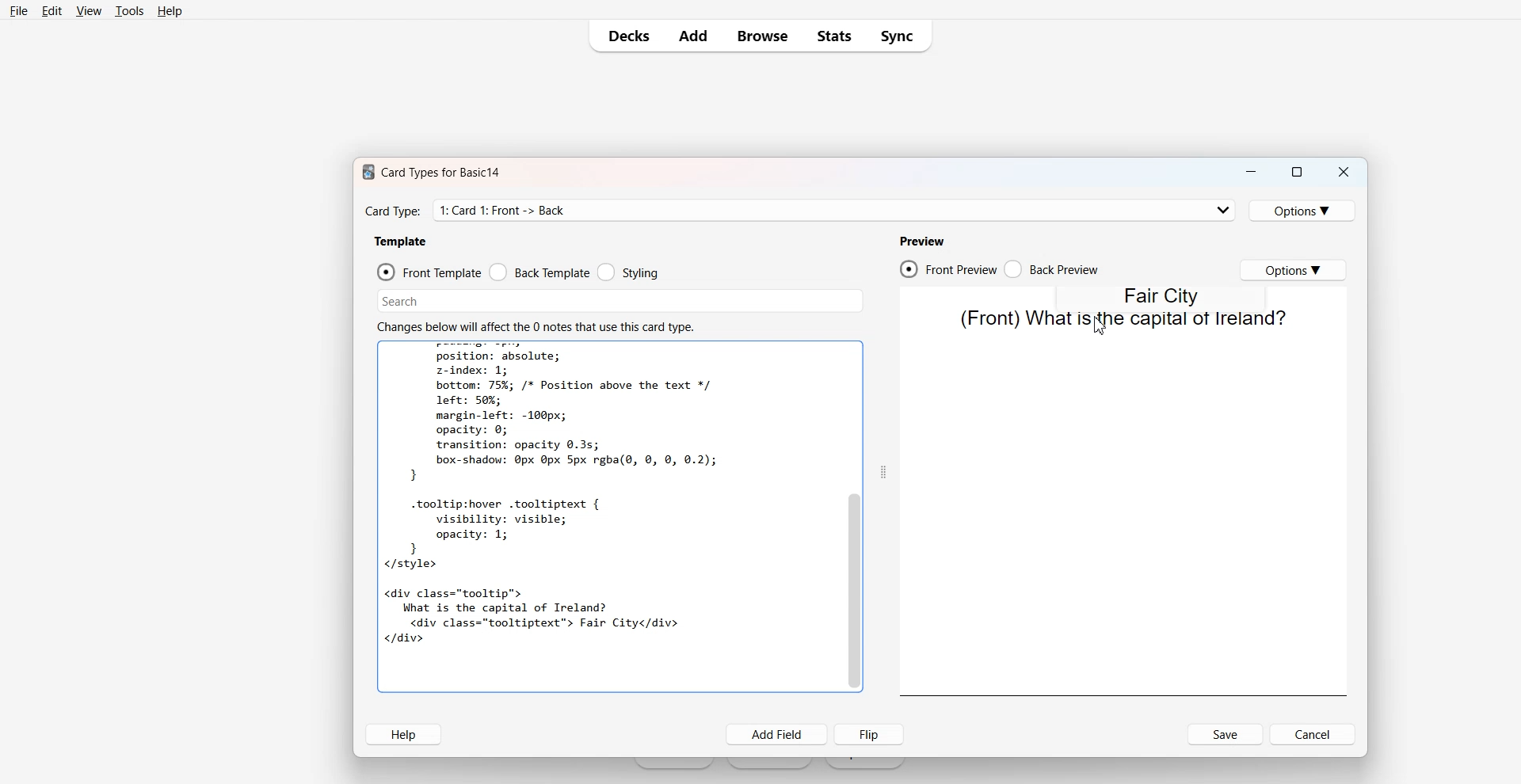  What do you see at coordinates (763, 36) in the screenshot?
I see `Browse` at bounding box center [763, 36].